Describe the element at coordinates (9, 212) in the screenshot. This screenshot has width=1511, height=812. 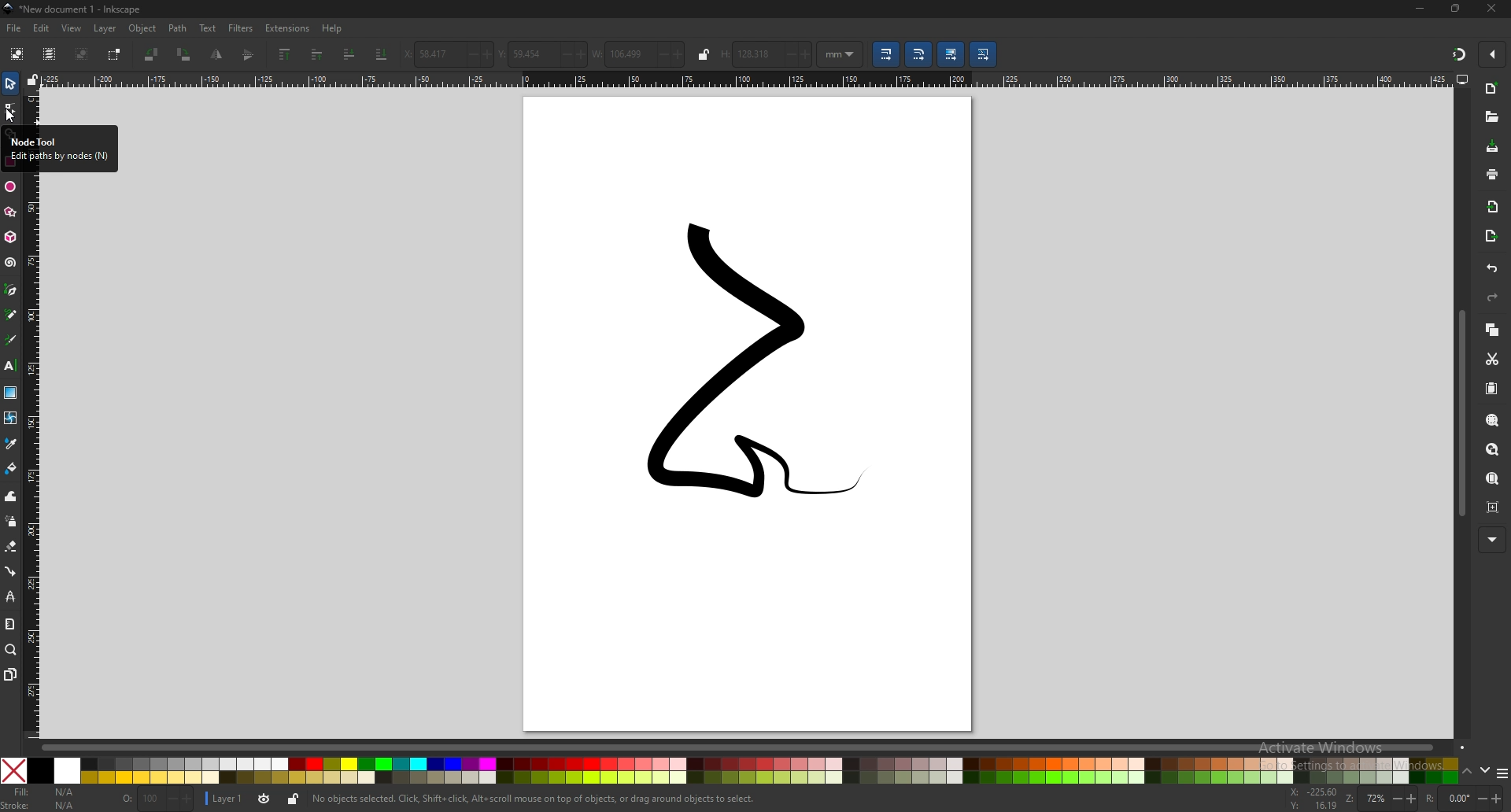
I see `stars and polygons` at that location.